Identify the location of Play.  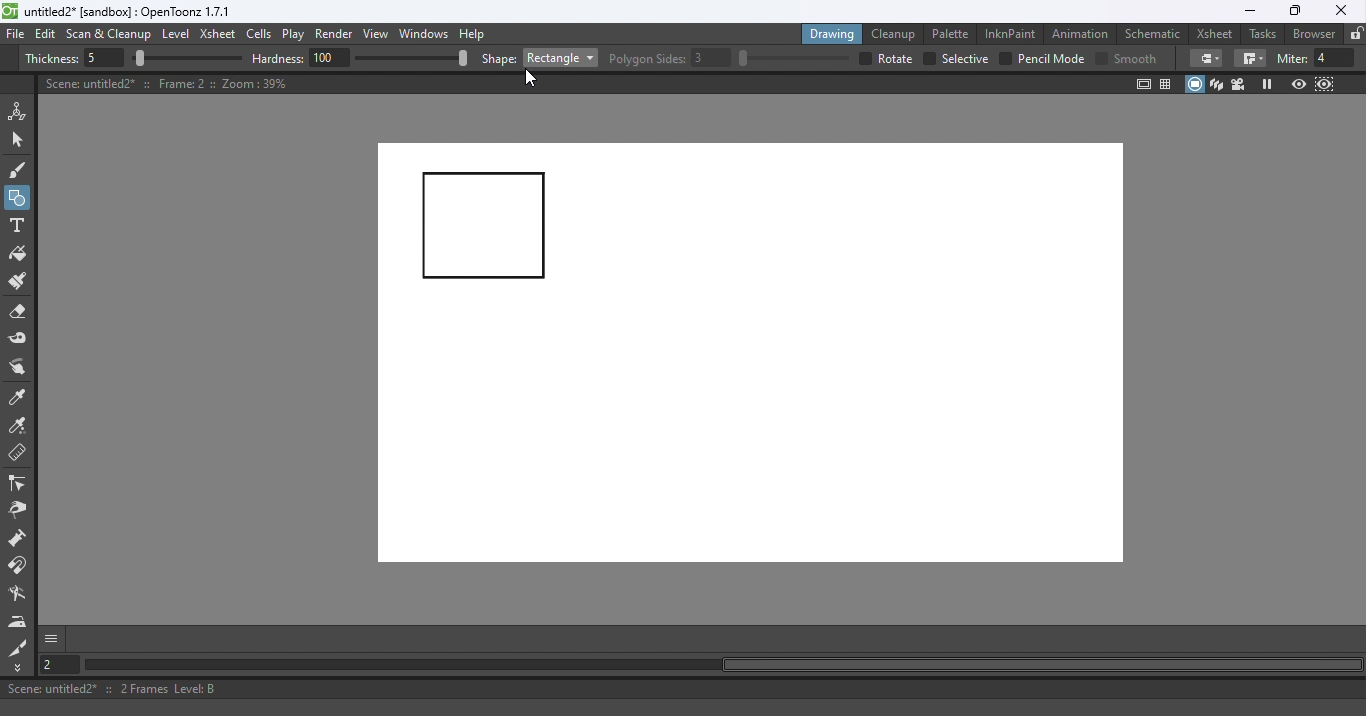
(297, 35).